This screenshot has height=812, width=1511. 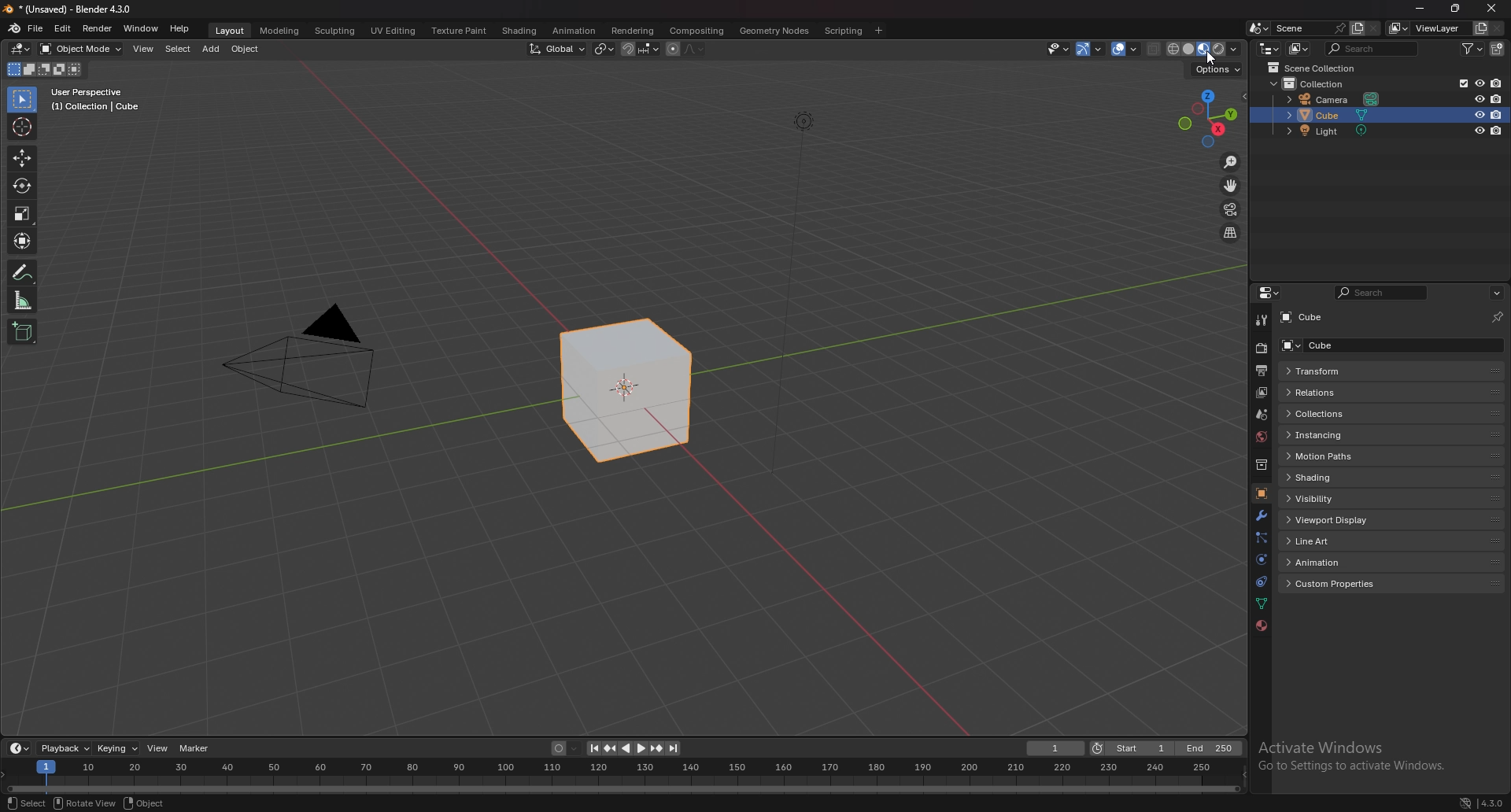 I want to click on animation, so click(x=1346, y=562).